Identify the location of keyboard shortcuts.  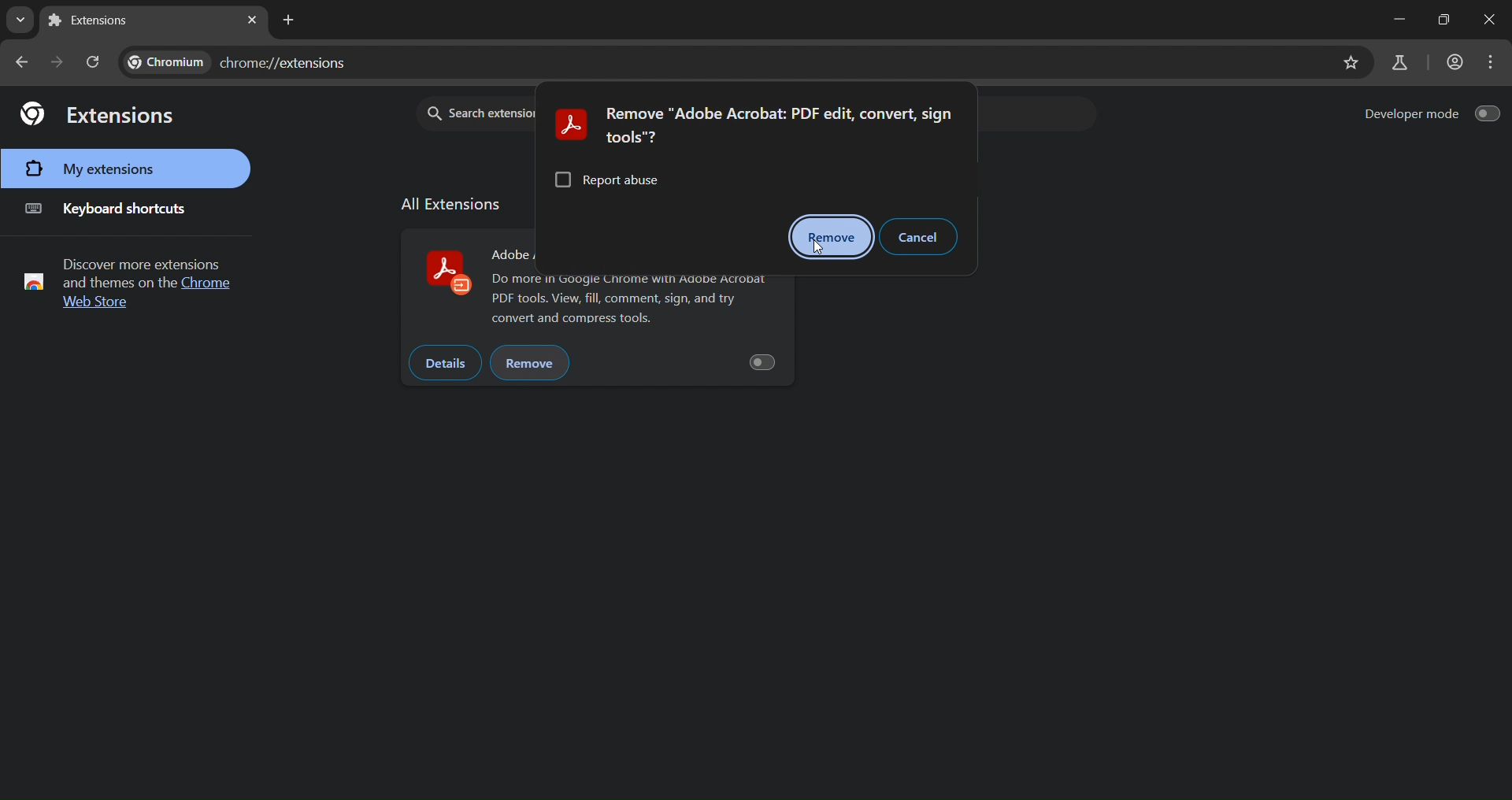
(128, 209).